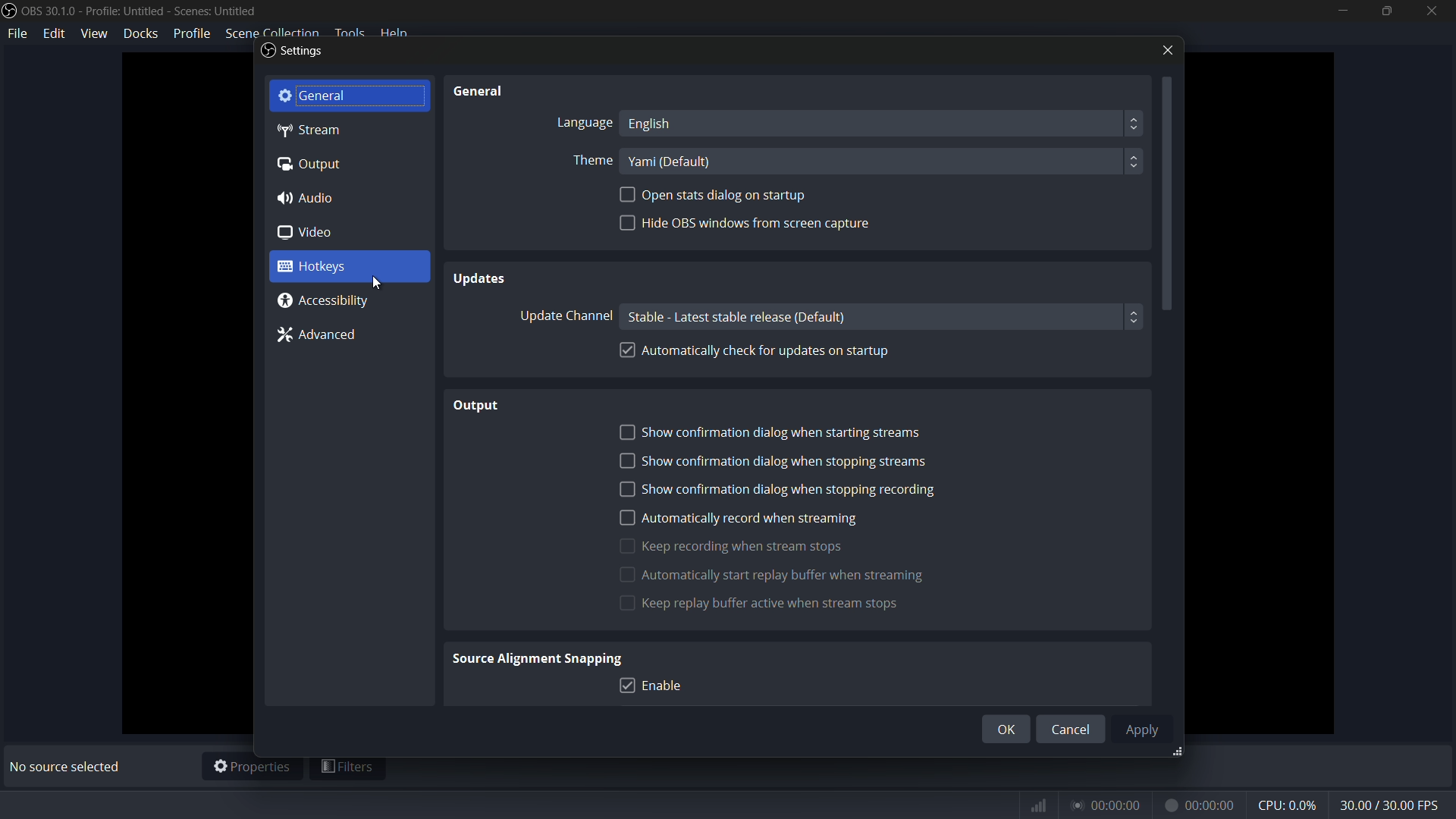 This screenshot has width=1456, height=819. Describe the element at coordinates (759, 603) in the screenshot. I see `keep replay buffer active when stream stops` at that location.